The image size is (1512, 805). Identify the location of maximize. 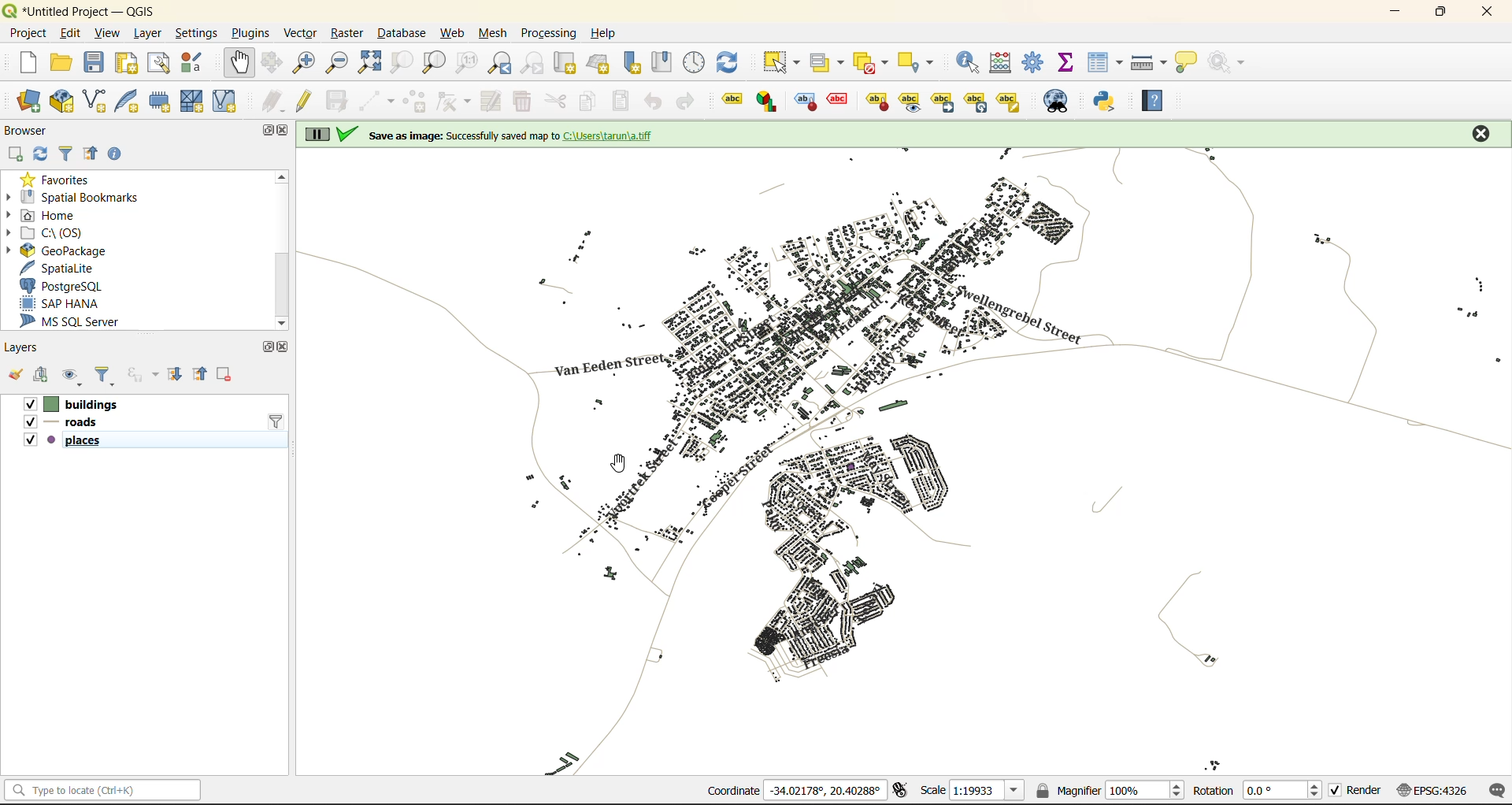
(1441, 12).